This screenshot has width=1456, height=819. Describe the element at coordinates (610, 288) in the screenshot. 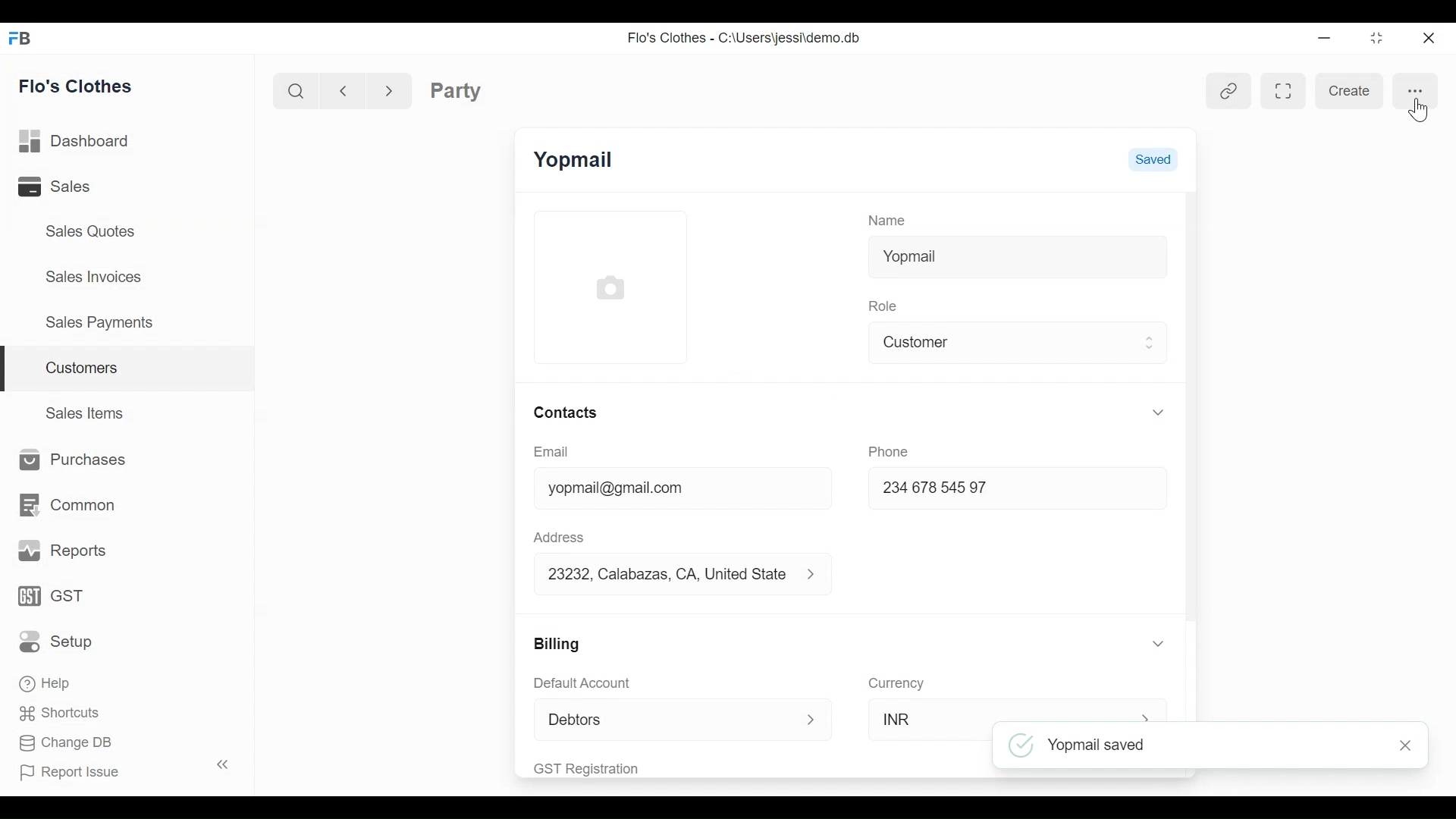

I see `Profile Picture` at that location.